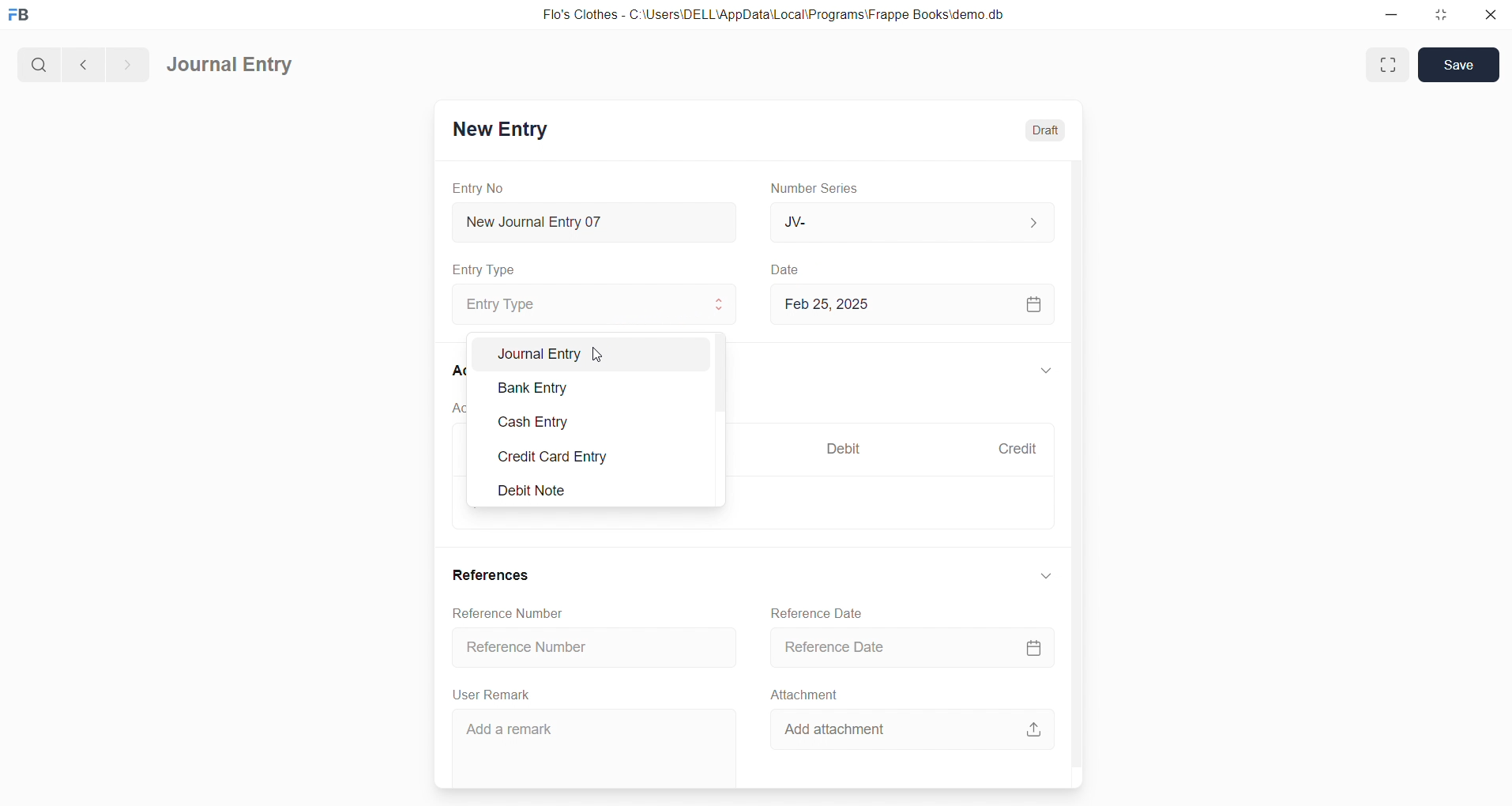 Image resolution: width=1512 pixels, height=806 pixels. What do you see at coordinates (479, 187) in the screenshot?
I see `Entry No` at bounding box center [479, 187].